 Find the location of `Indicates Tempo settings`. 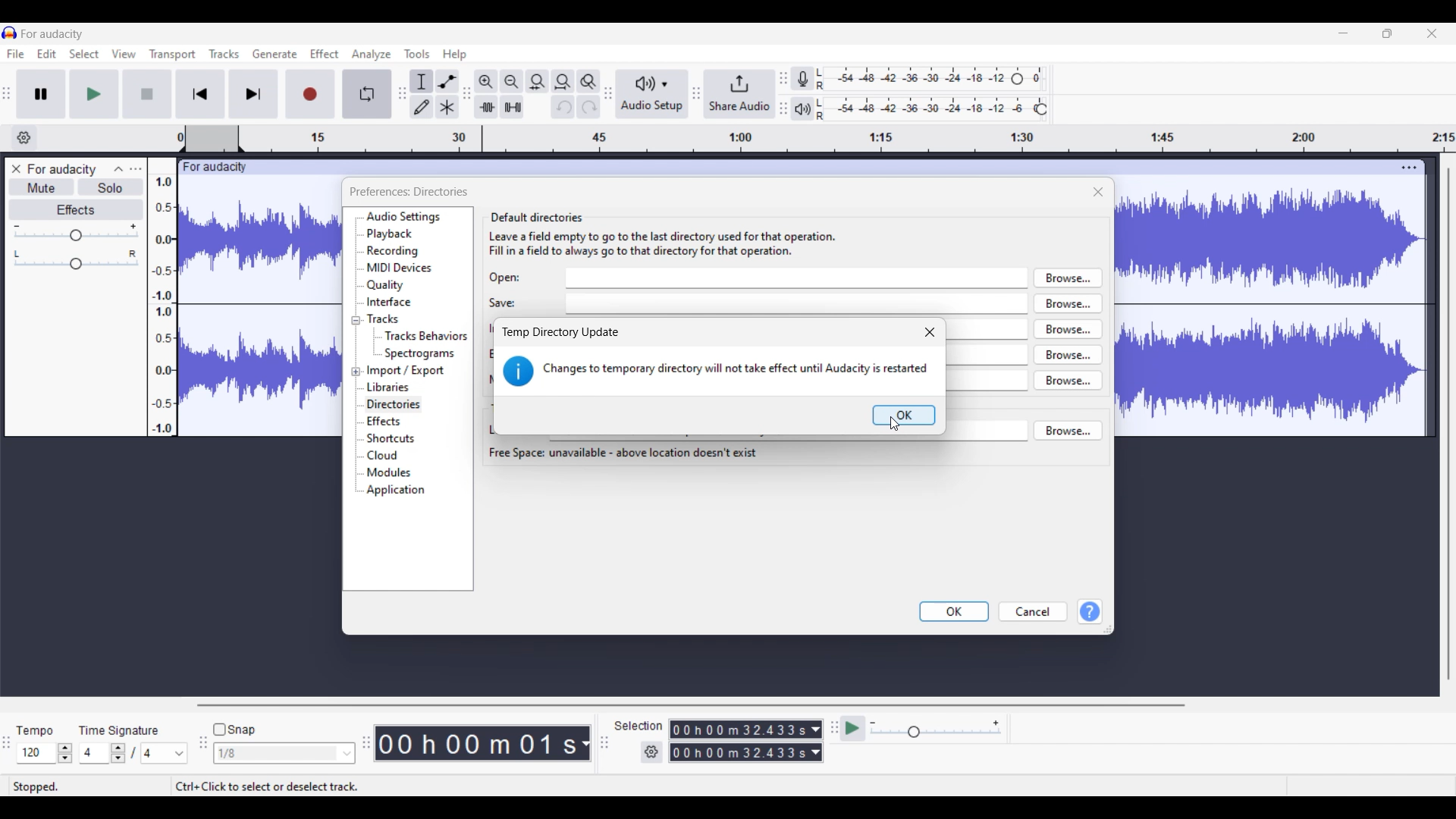

Indicates Tempo settings is located at coordinates (36, 730).